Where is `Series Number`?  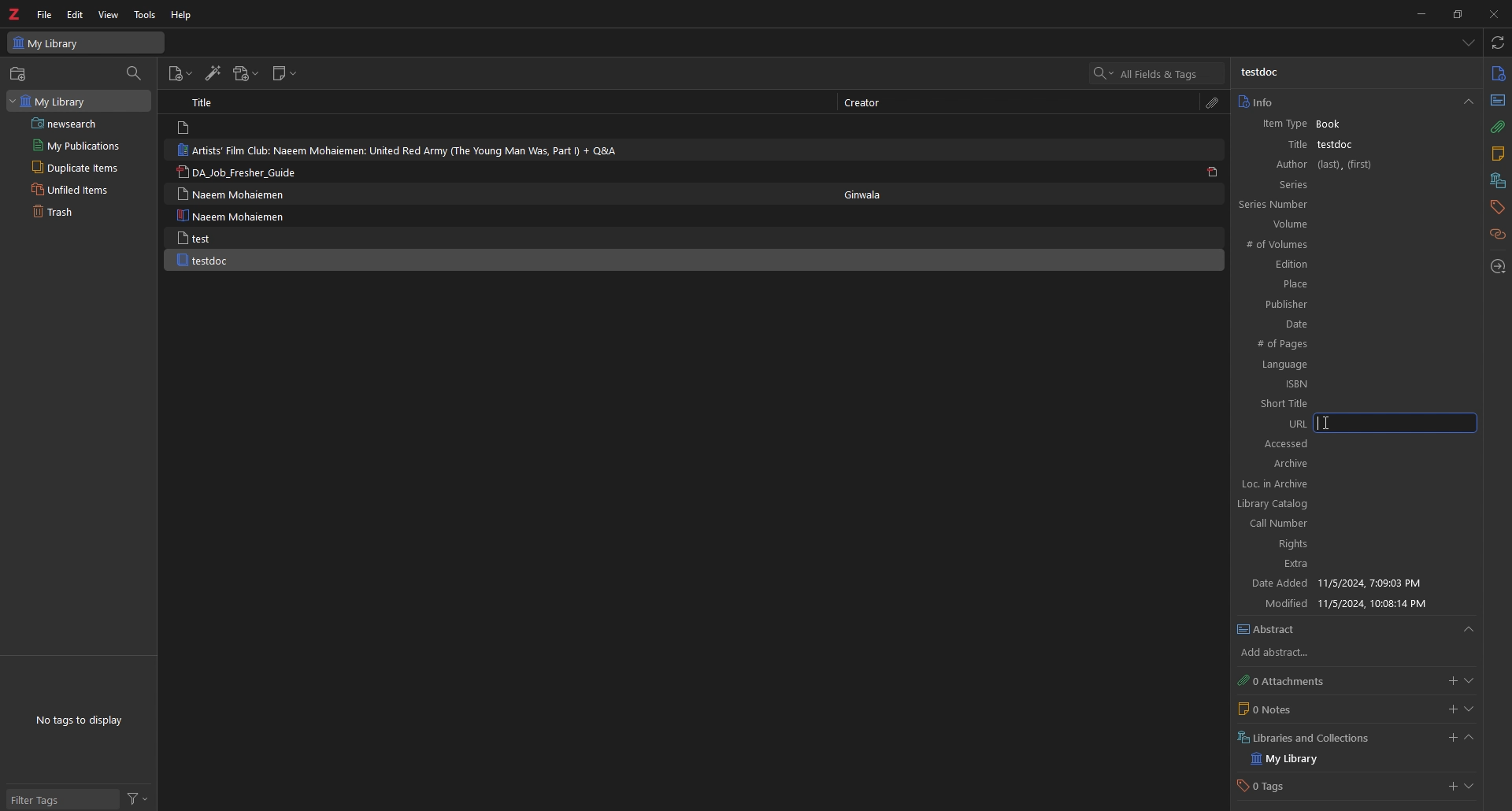
Series Number is located at coordinates (1316, 206).